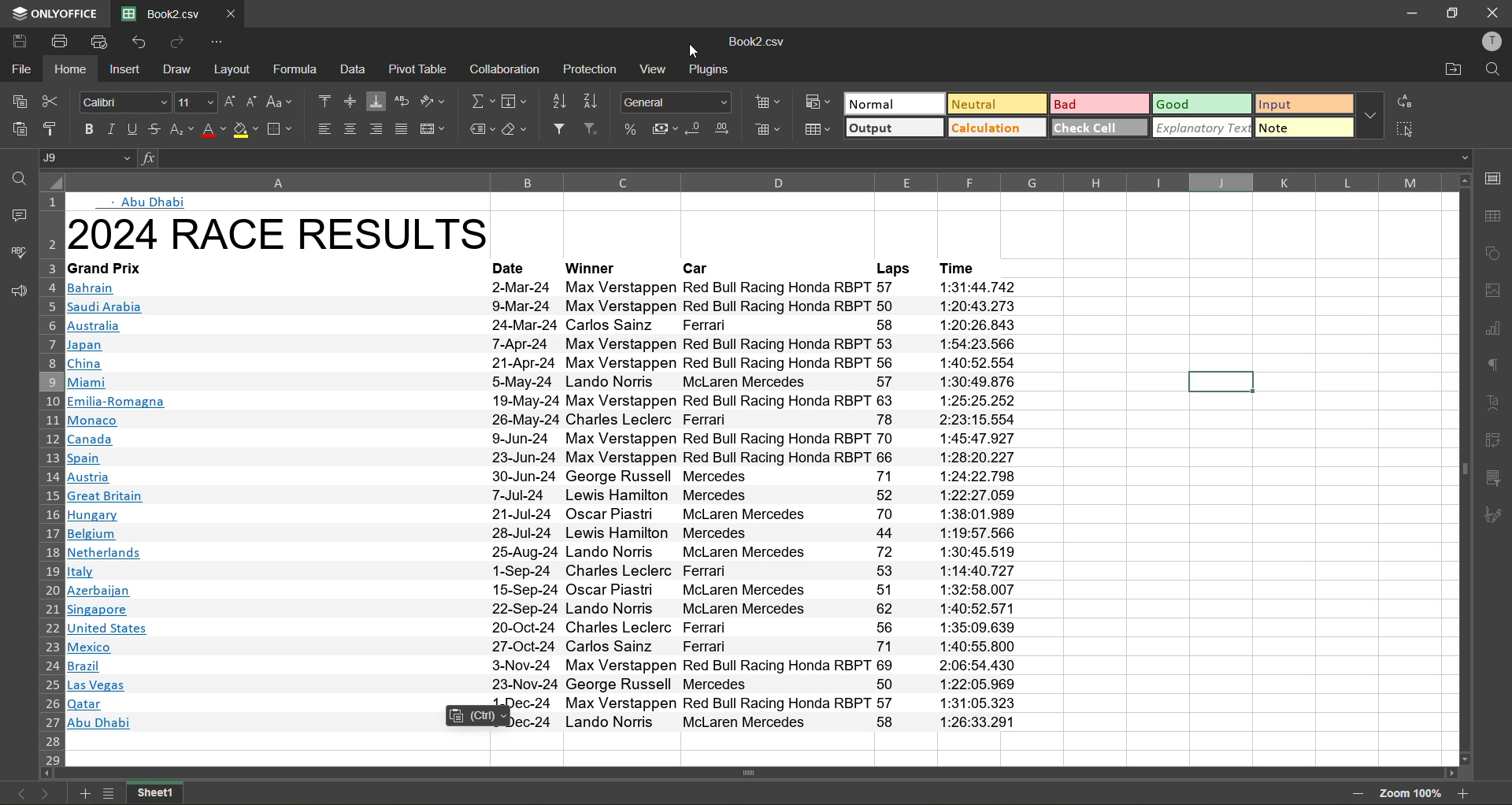  What do you see at coordinates (543, 459) in the screenshot?
I see `text info` at bounding box center [543, 459].